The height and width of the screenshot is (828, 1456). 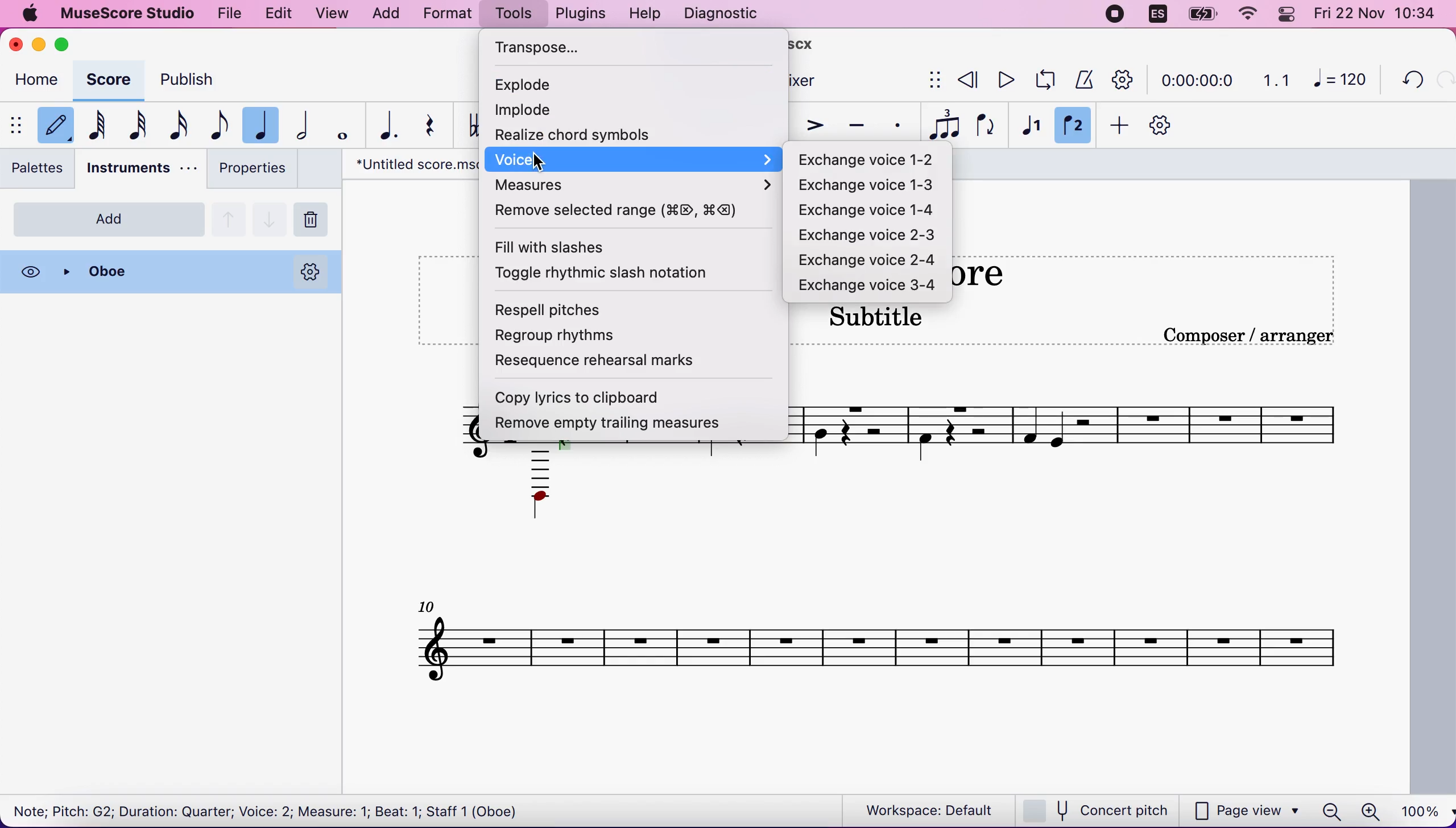 I want to click on show/hide, so click(x=935, y=82).